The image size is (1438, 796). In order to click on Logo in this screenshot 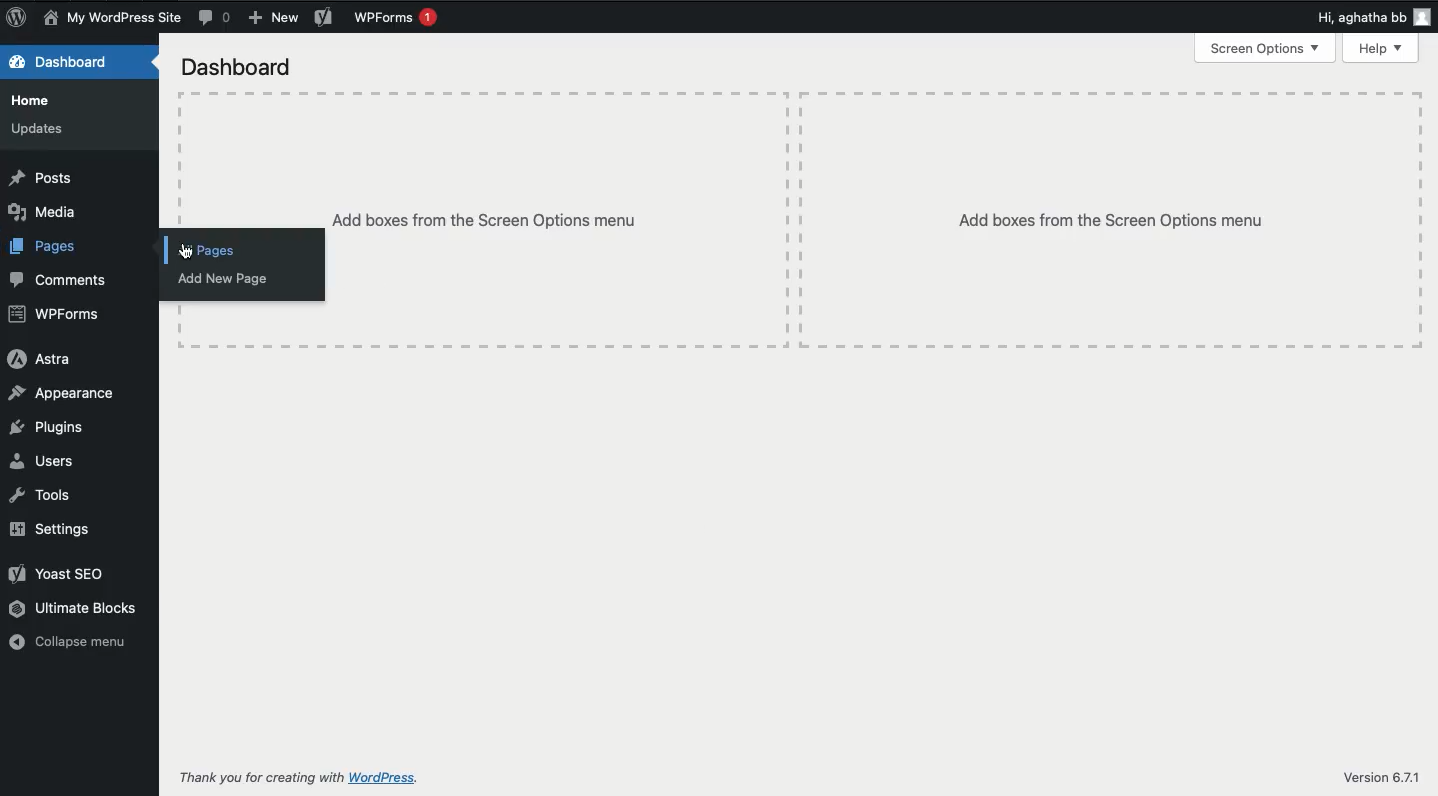, I will do `click(16, 19)`.